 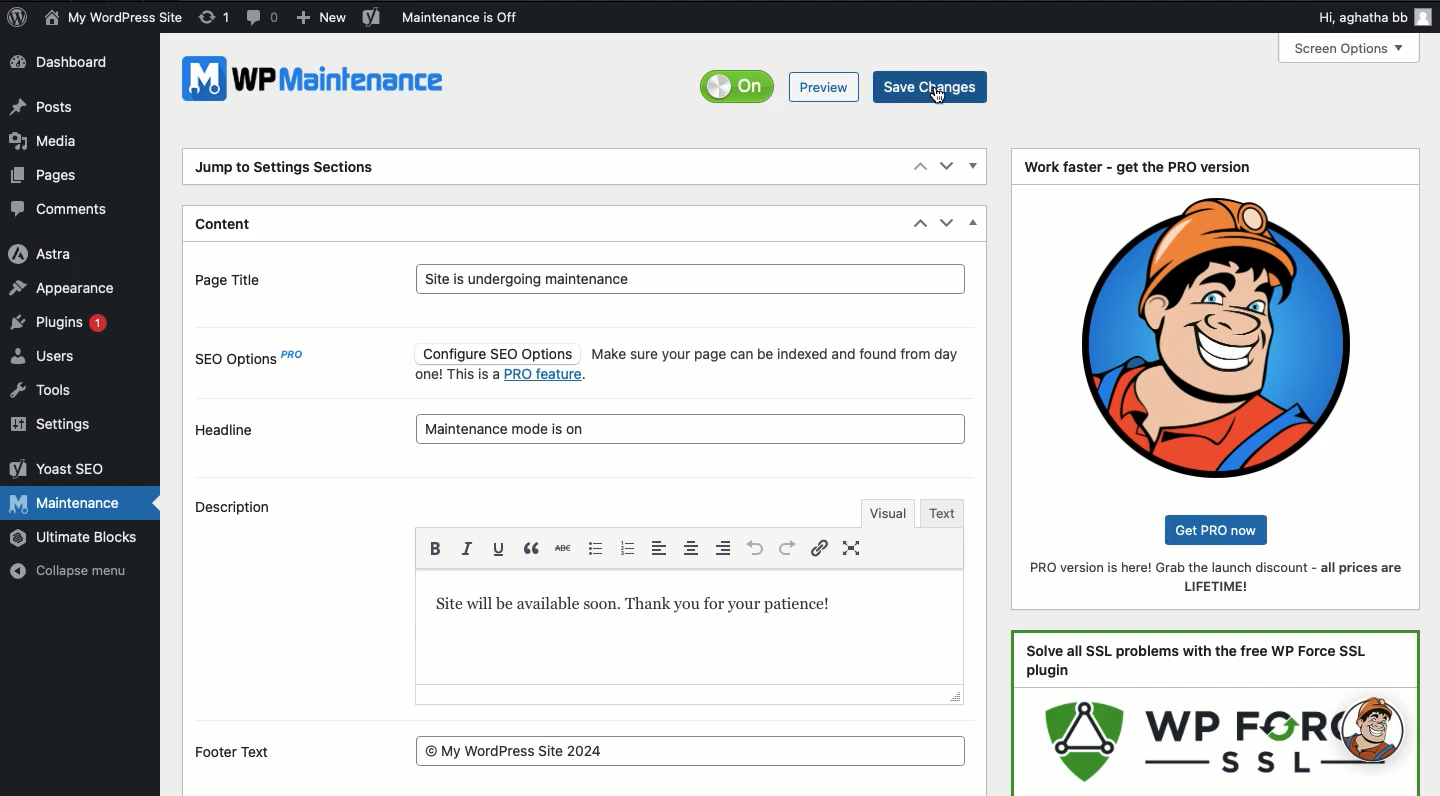 What do you see at coordinates (546, 376) in the screenshot?
I see `pro feature` at bounding box center [546, 376].